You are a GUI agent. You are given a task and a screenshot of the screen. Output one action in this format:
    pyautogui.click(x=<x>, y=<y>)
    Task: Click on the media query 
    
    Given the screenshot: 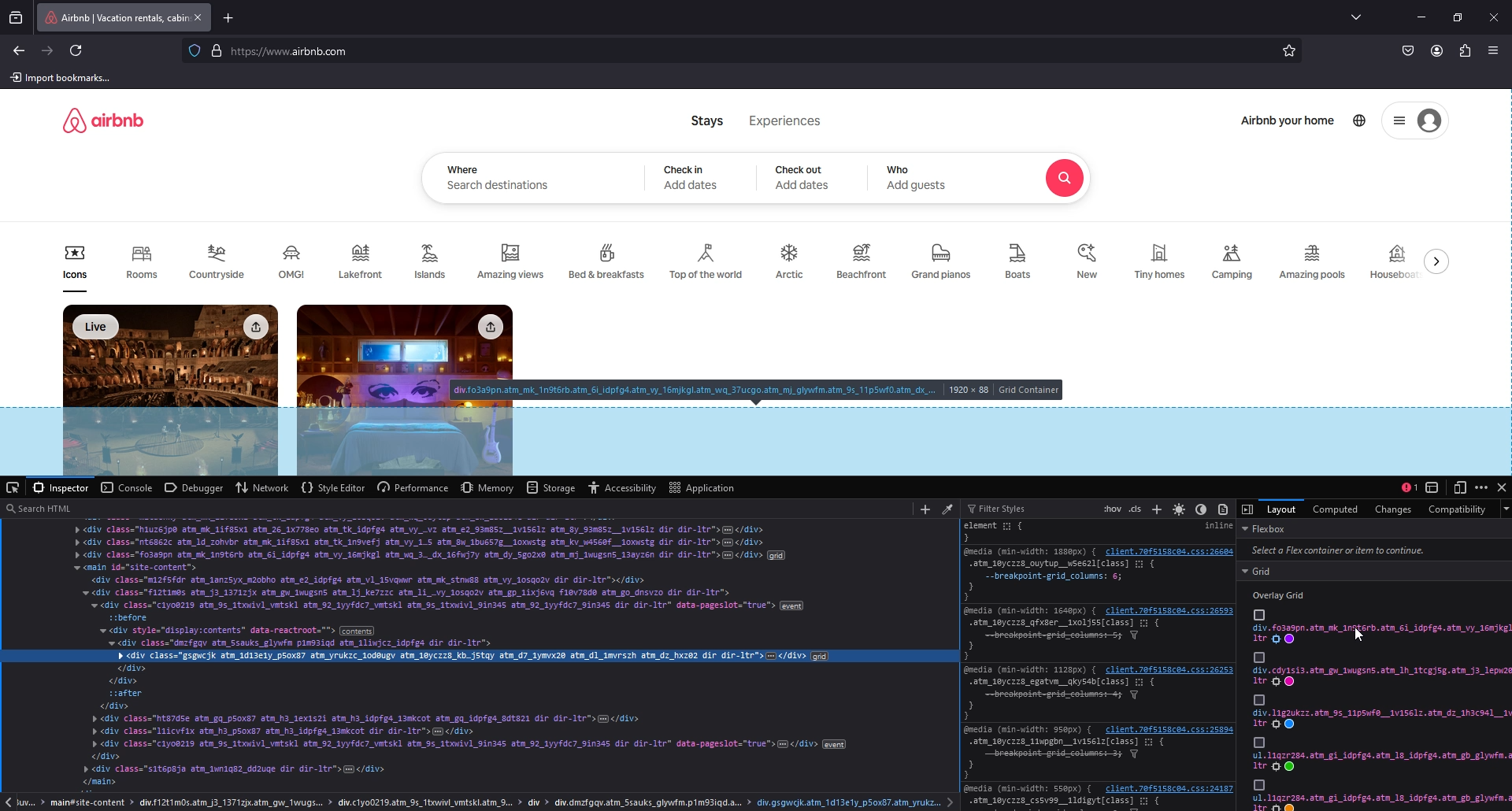 What is the action you would take?
    pyautogui.click(x=1032, y=669)
    